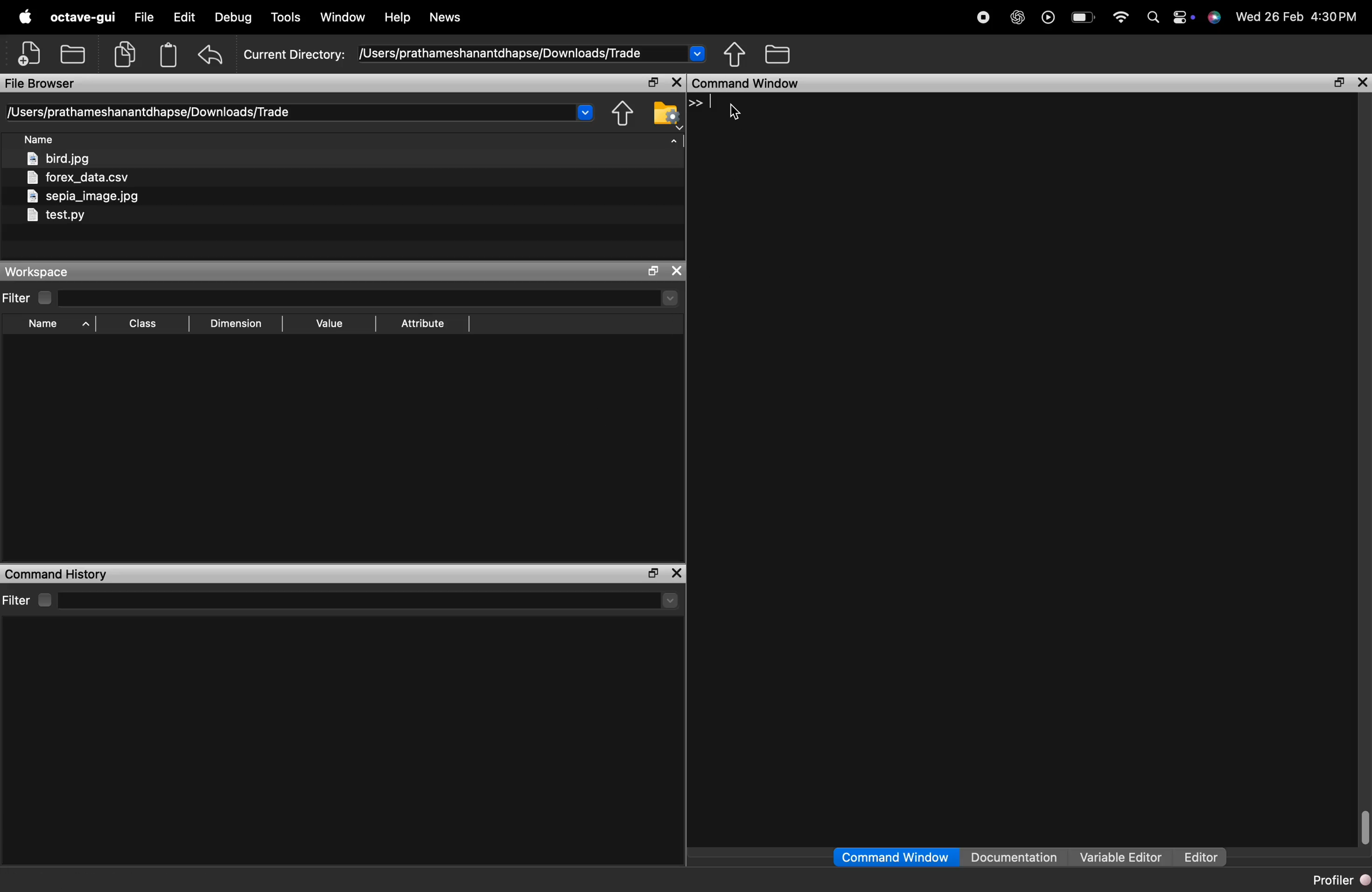  What do you see at coordinates (1338, 82) in the screenshot?
I see `open in separate window` at bounding box center [1338, 82].